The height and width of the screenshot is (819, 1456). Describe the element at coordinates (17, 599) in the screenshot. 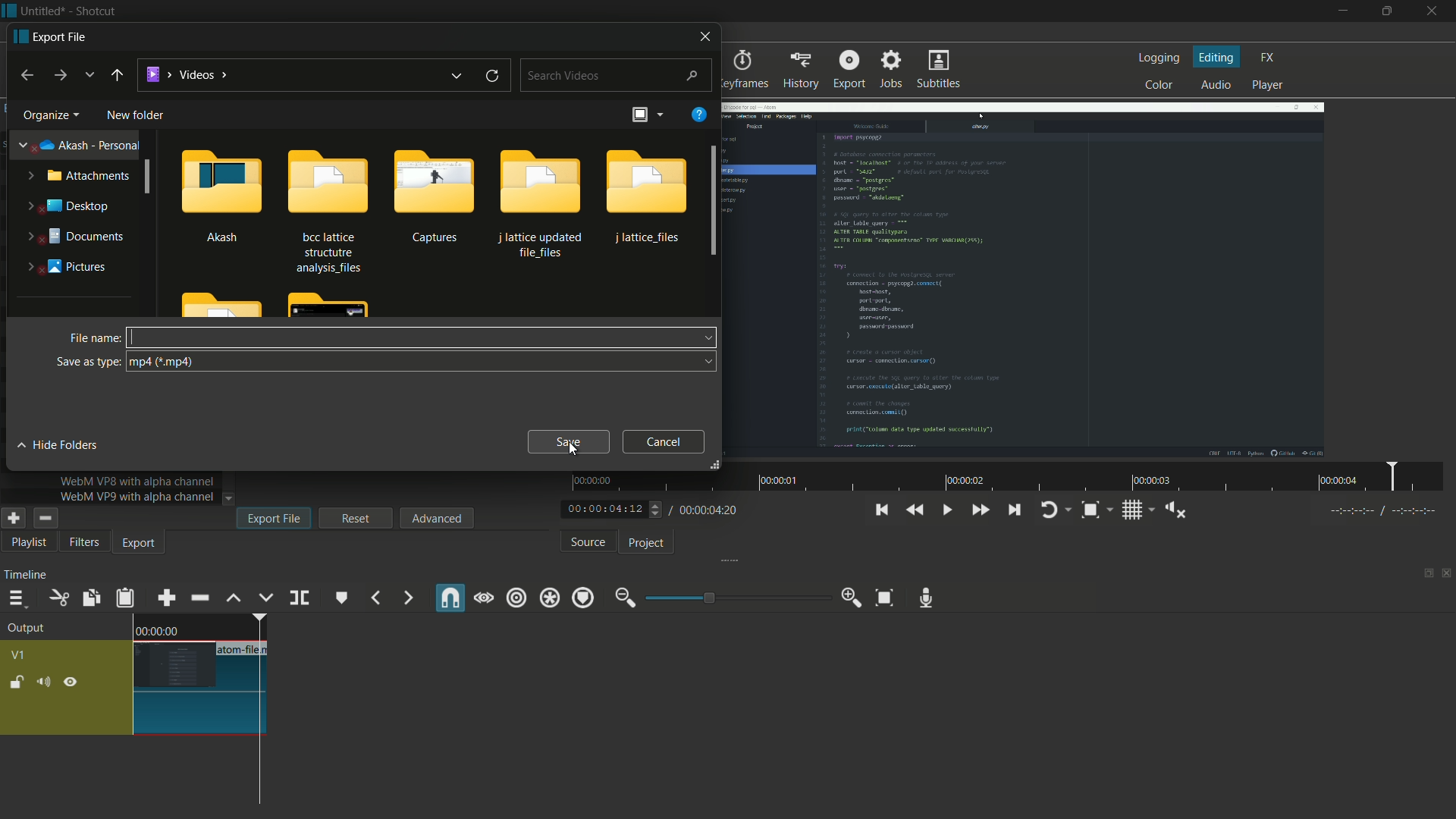

I see `timeline menu` at that location.